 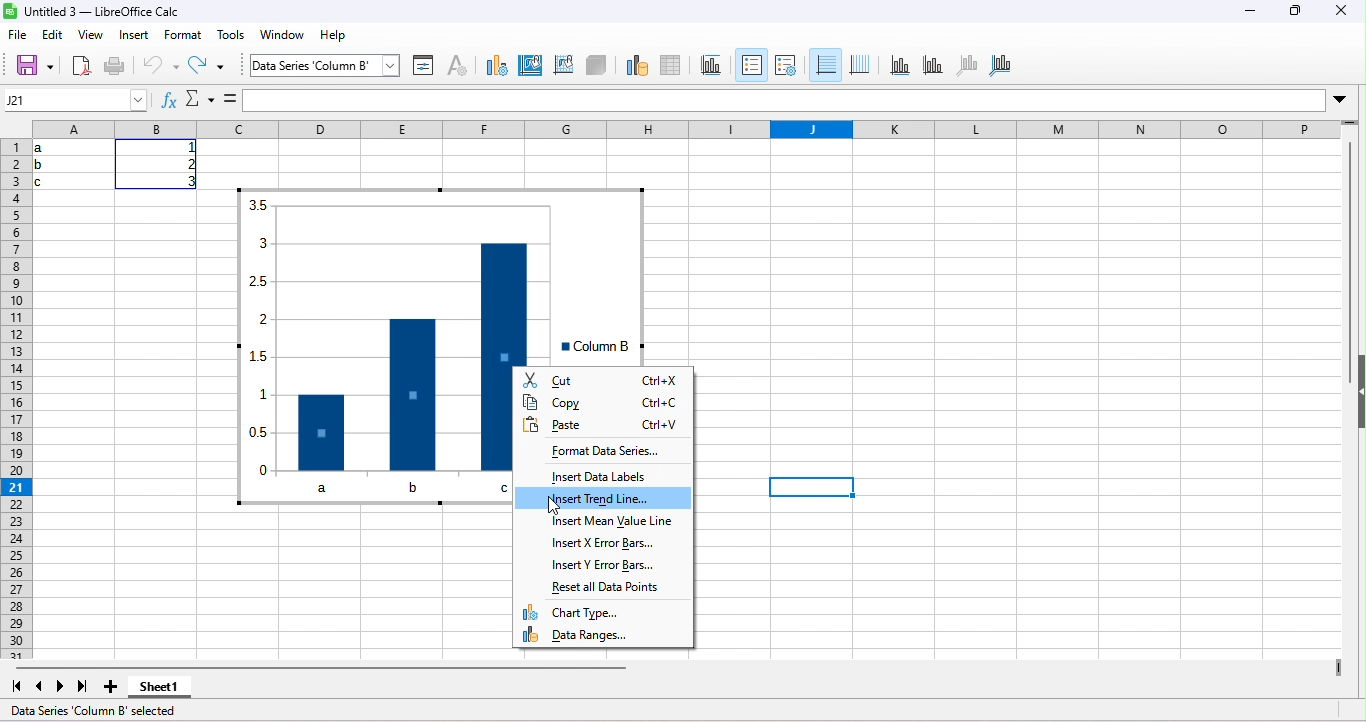 What do you see at coordinates (123, 68) in the screenshot?
I see `print` at bounding box center [123, 68].